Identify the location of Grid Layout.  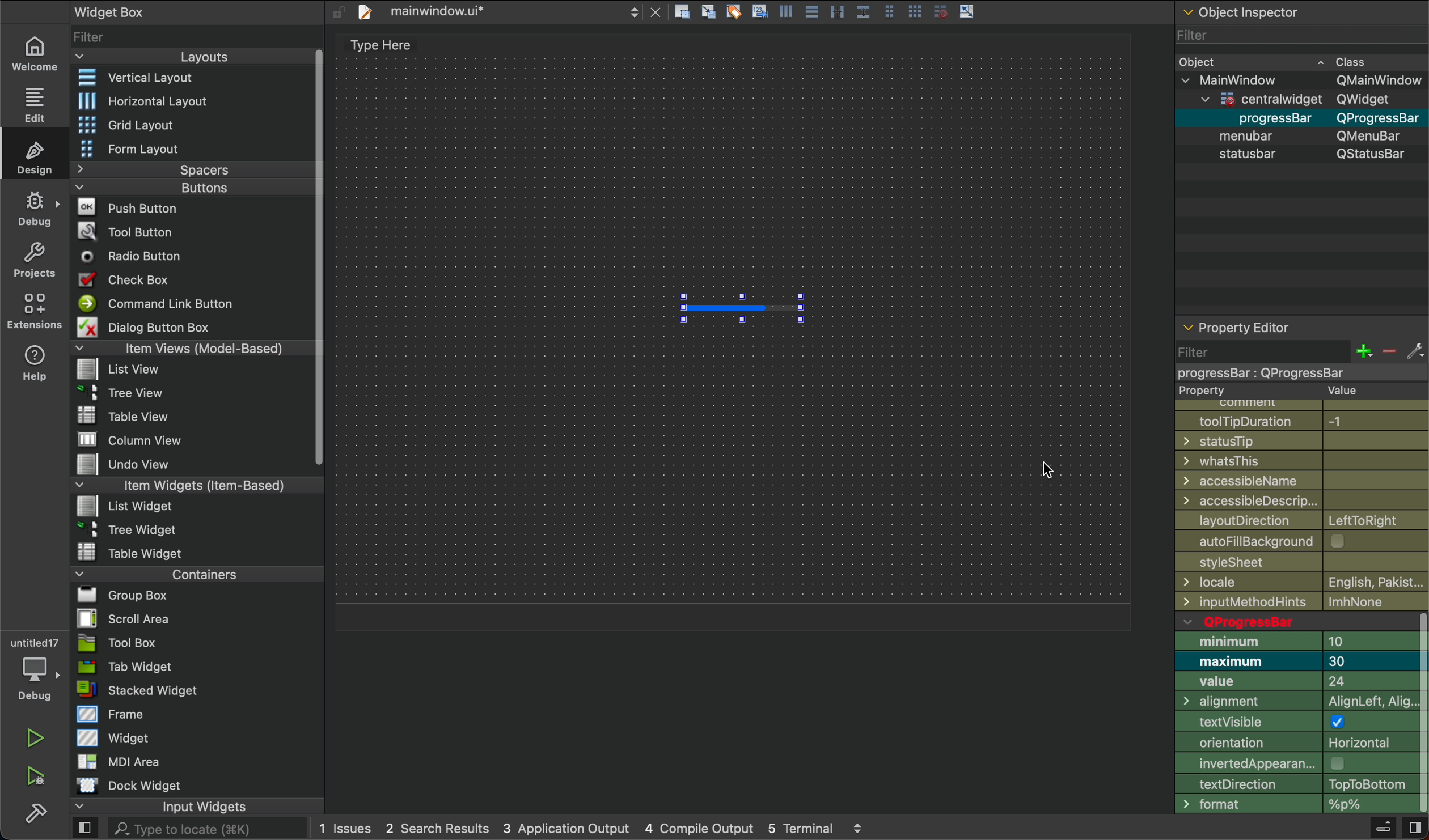
(157, 124).